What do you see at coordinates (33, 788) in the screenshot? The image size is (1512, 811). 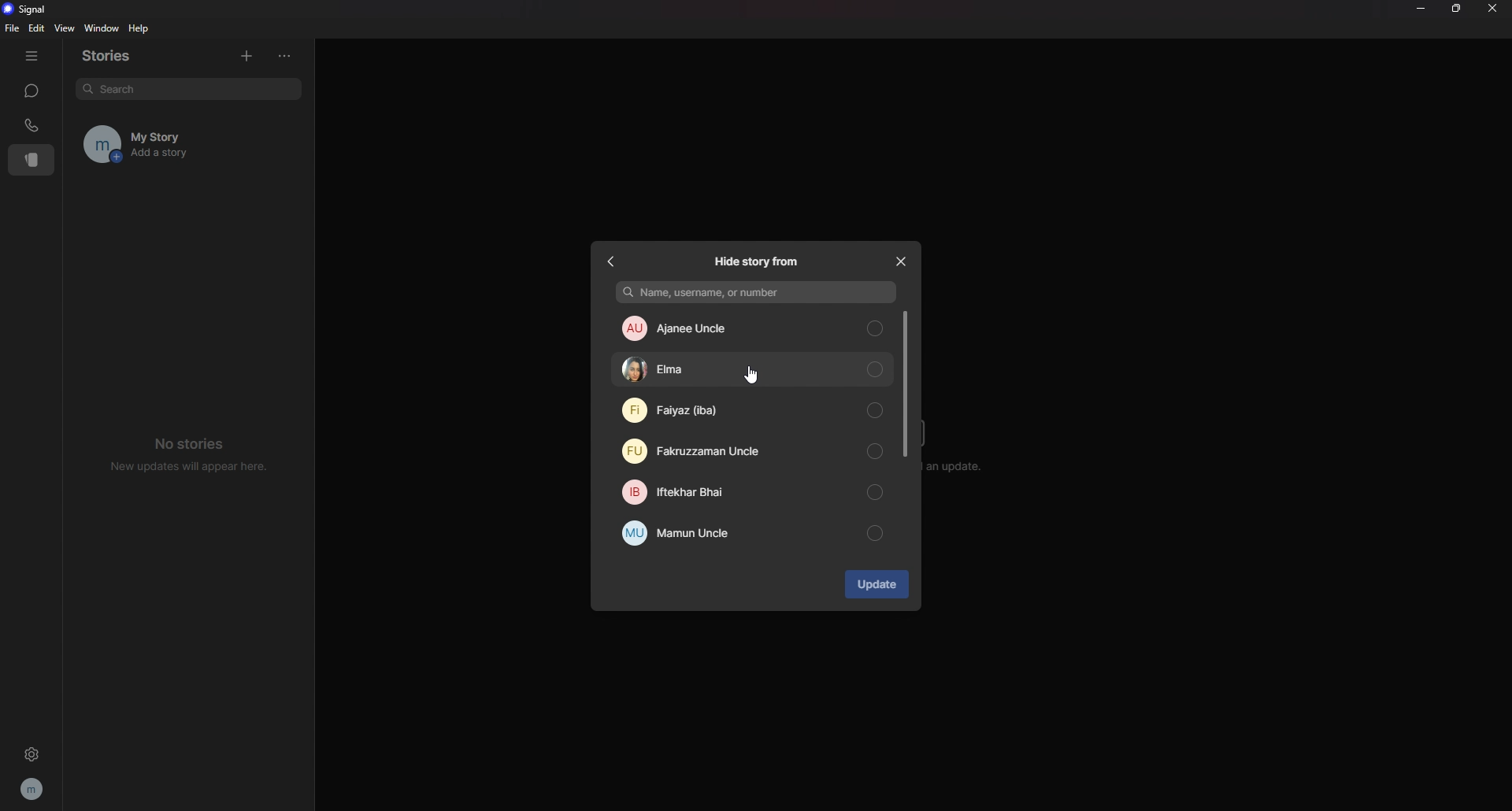 I see `profile` at bounding box center [33, 788].